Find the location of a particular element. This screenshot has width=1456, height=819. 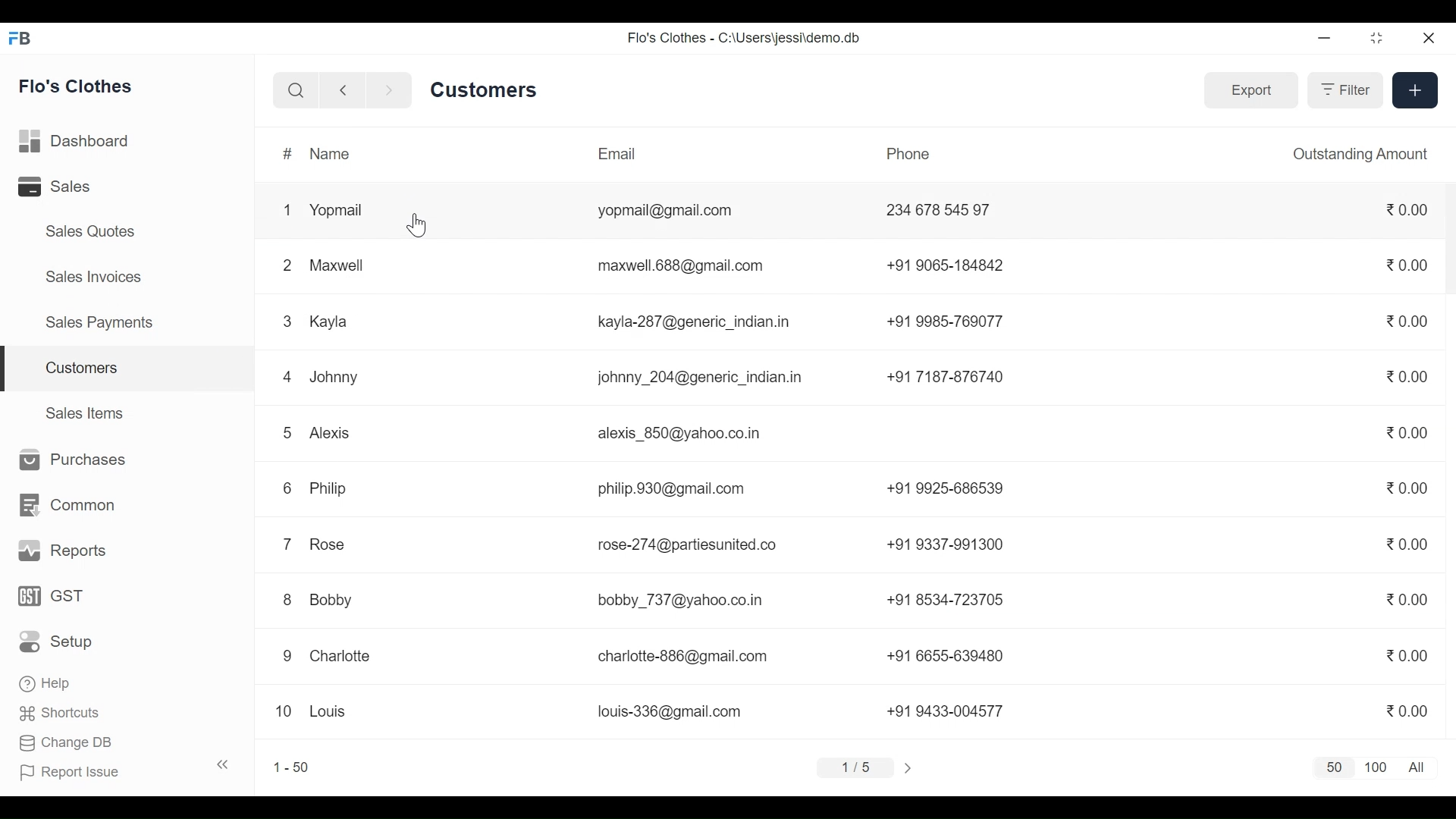

9 is located at coordinates (285, 658).